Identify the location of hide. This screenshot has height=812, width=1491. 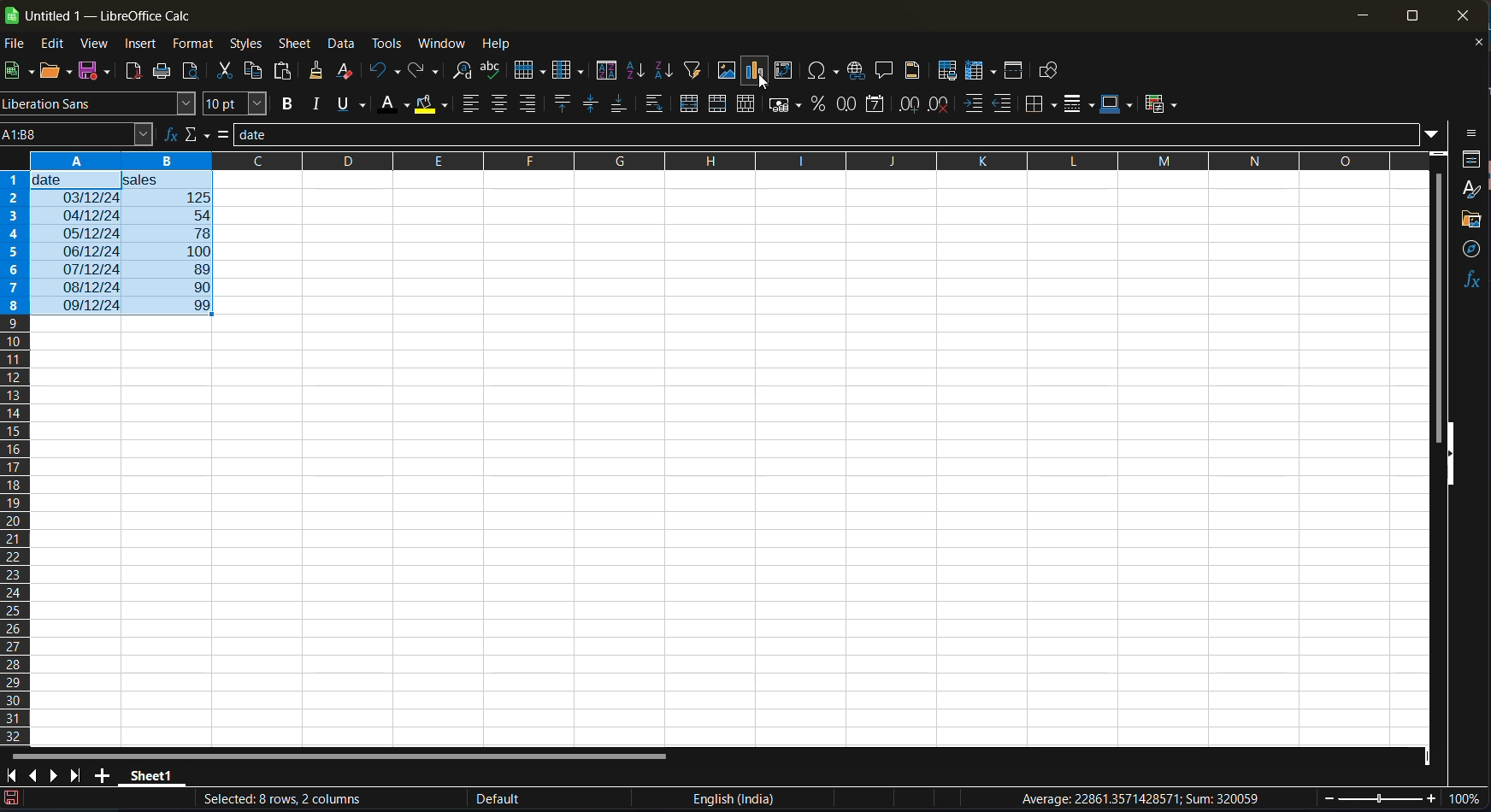
(1448, 453).